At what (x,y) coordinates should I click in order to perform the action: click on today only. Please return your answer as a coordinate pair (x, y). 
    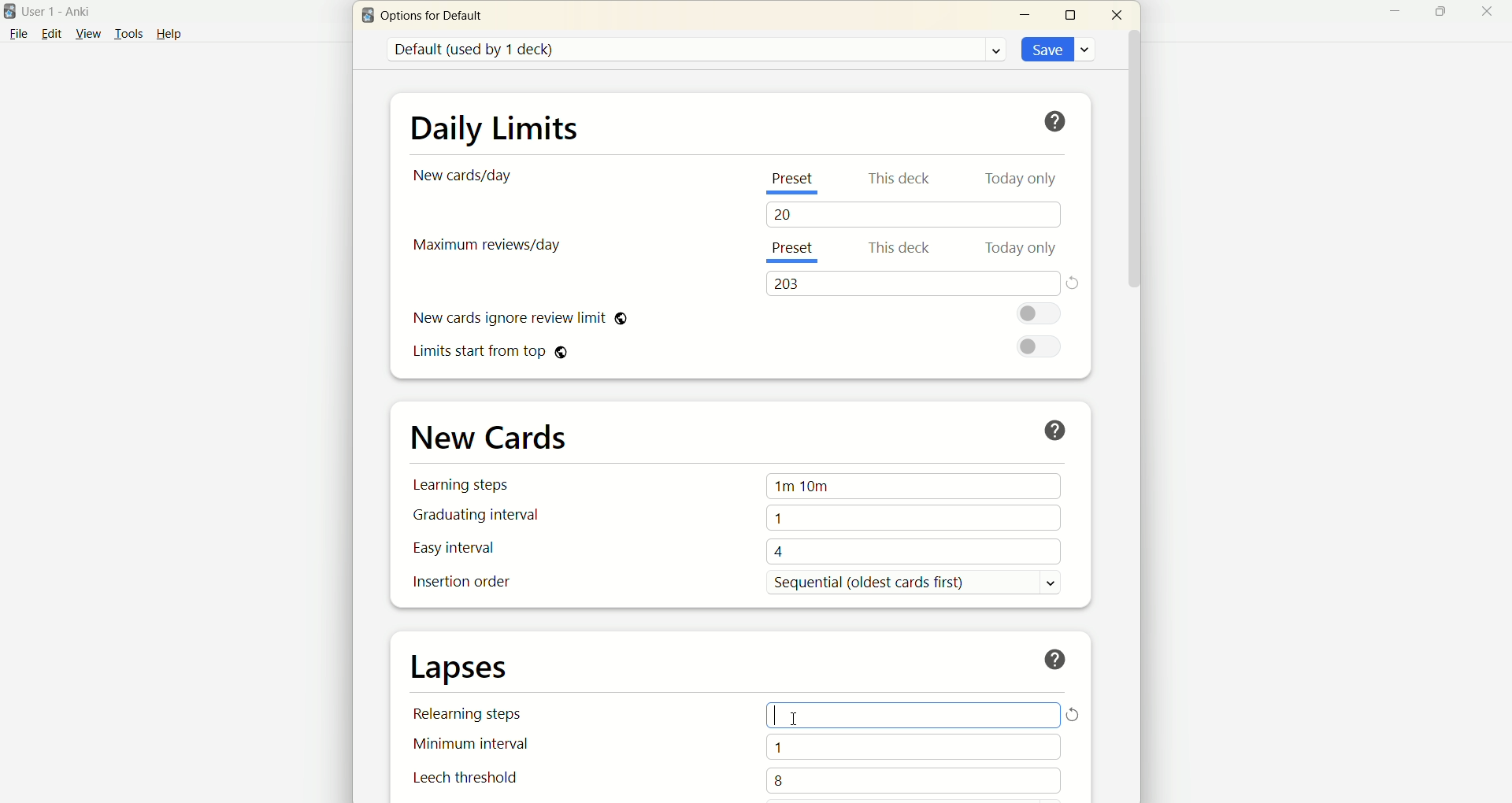
    Looking at the image, I should click on (1023, 249).